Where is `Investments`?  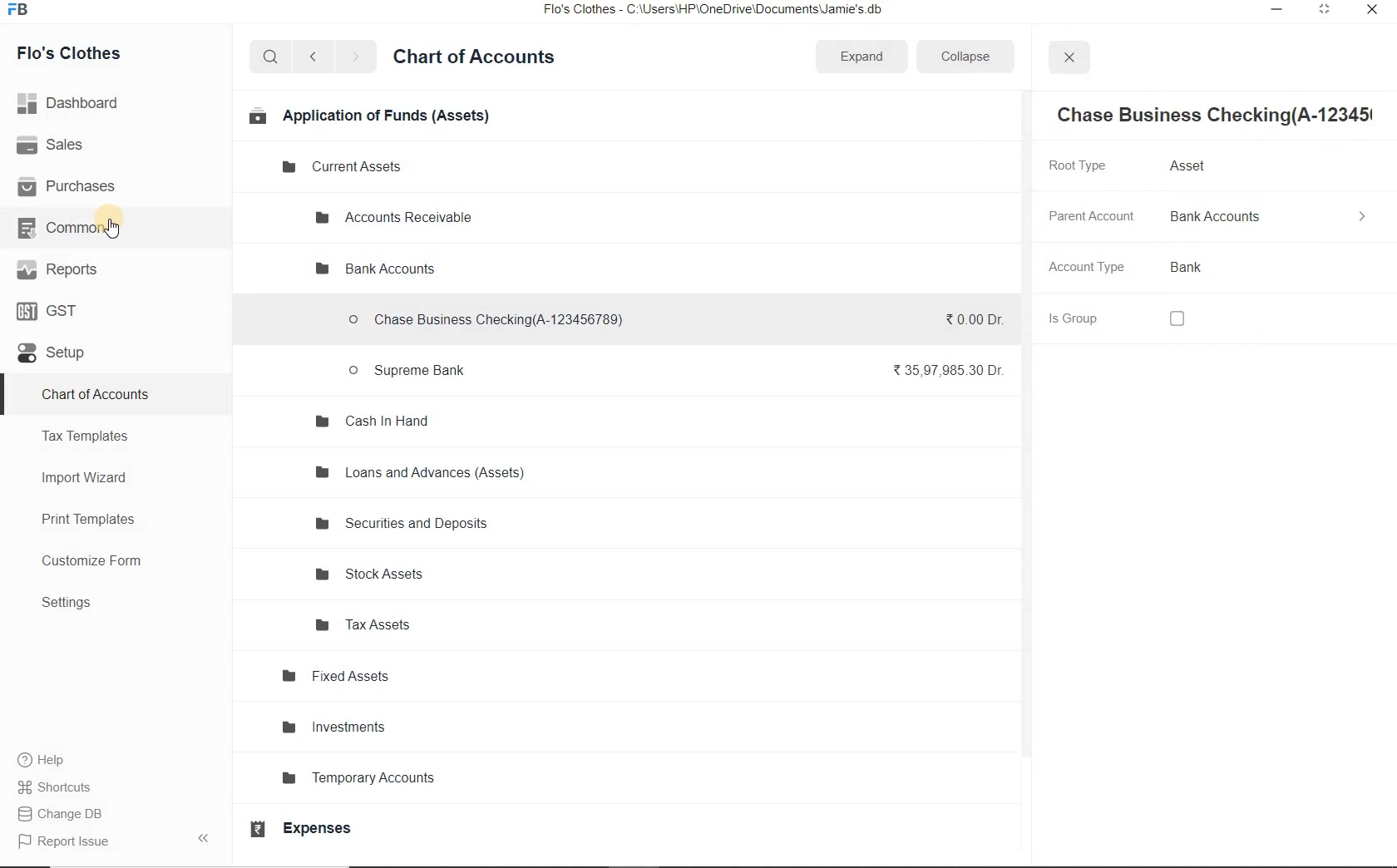 Investments is located at coordinates (369, 726).